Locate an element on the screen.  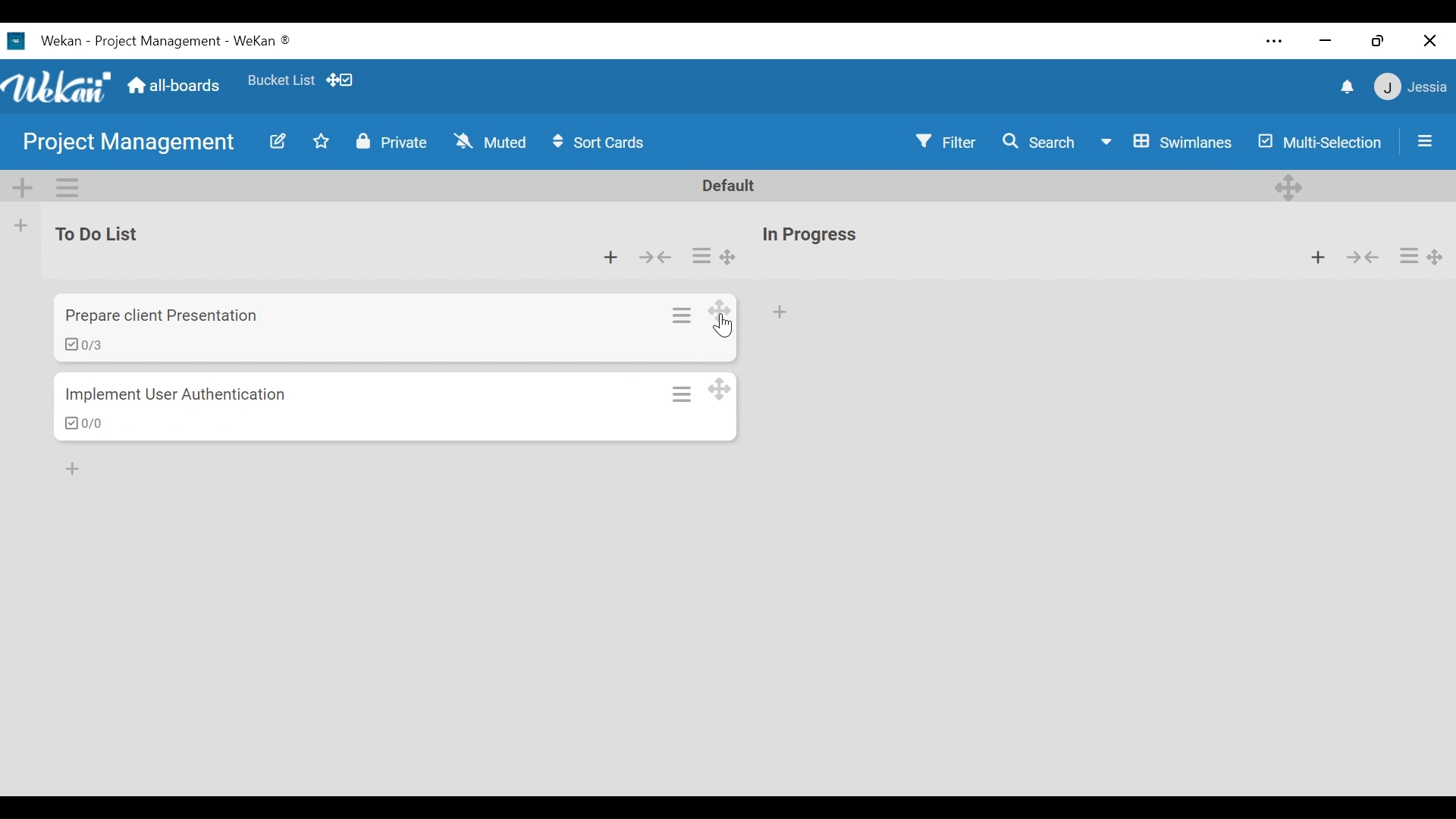
list actions is located at coordinates (1408, 257).